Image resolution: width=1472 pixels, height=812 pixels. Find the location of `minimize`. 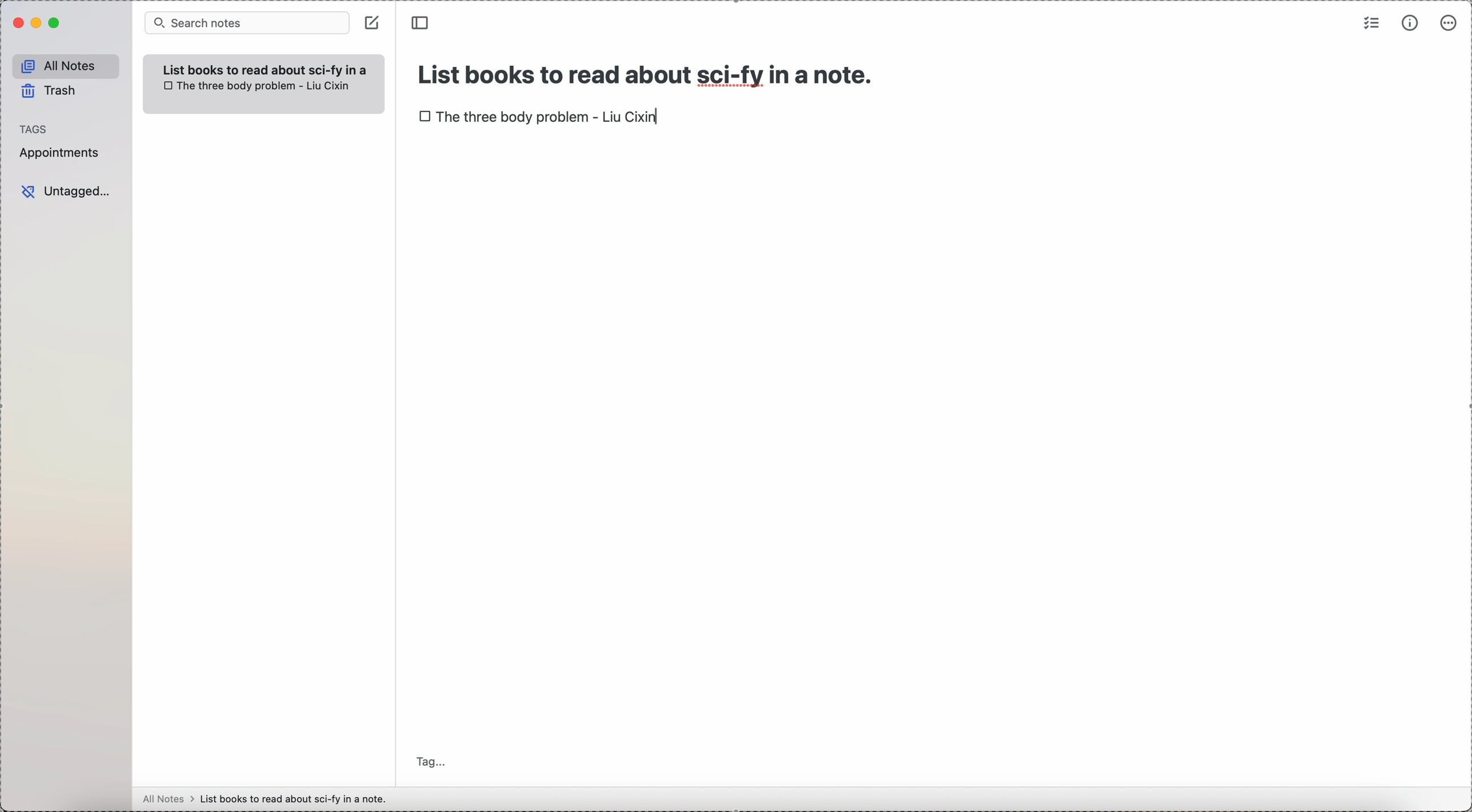

minimize is located at coordinates (34, 23).